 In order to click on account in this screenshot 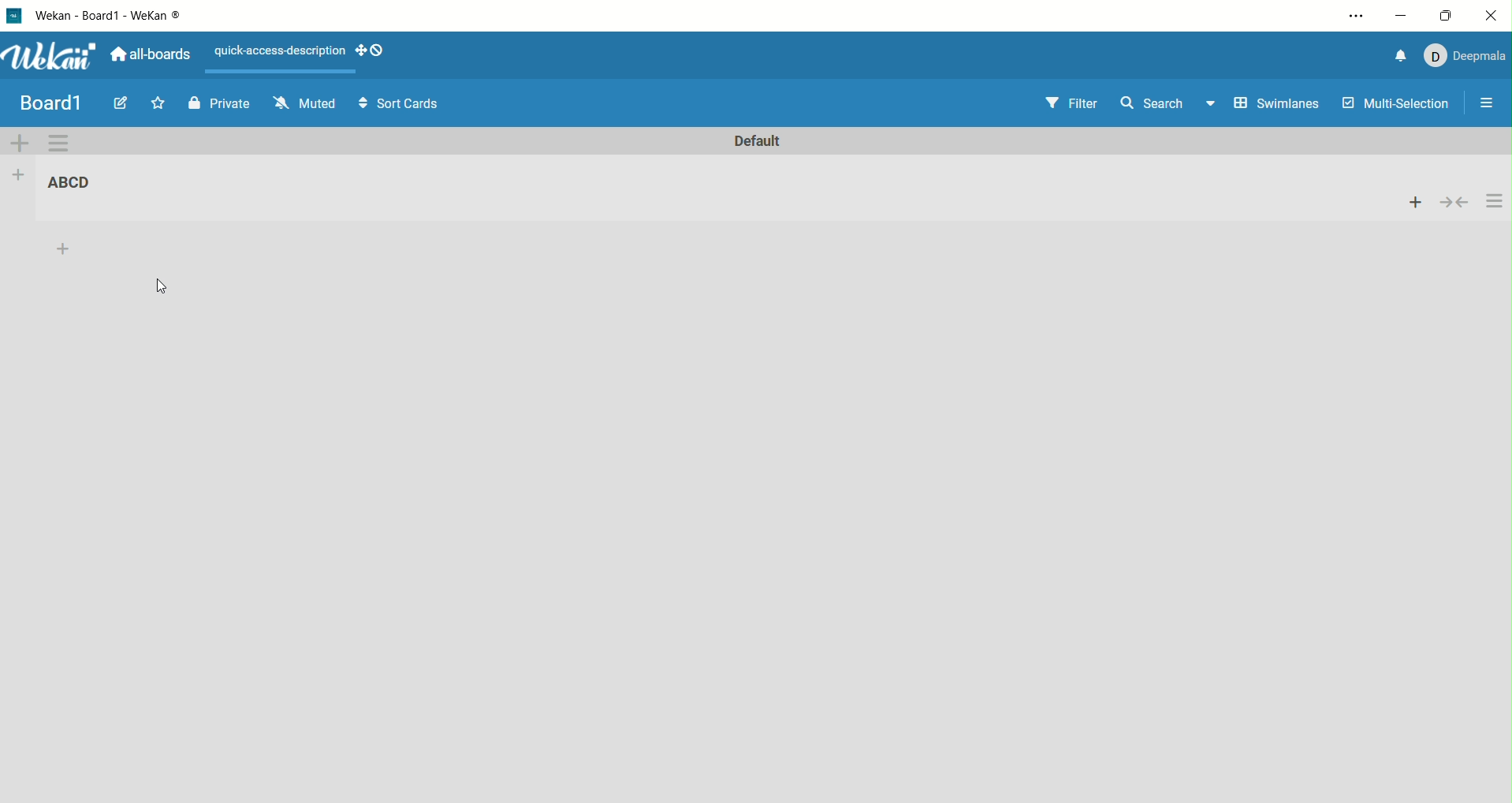, I will do `click(1469, 57)`.